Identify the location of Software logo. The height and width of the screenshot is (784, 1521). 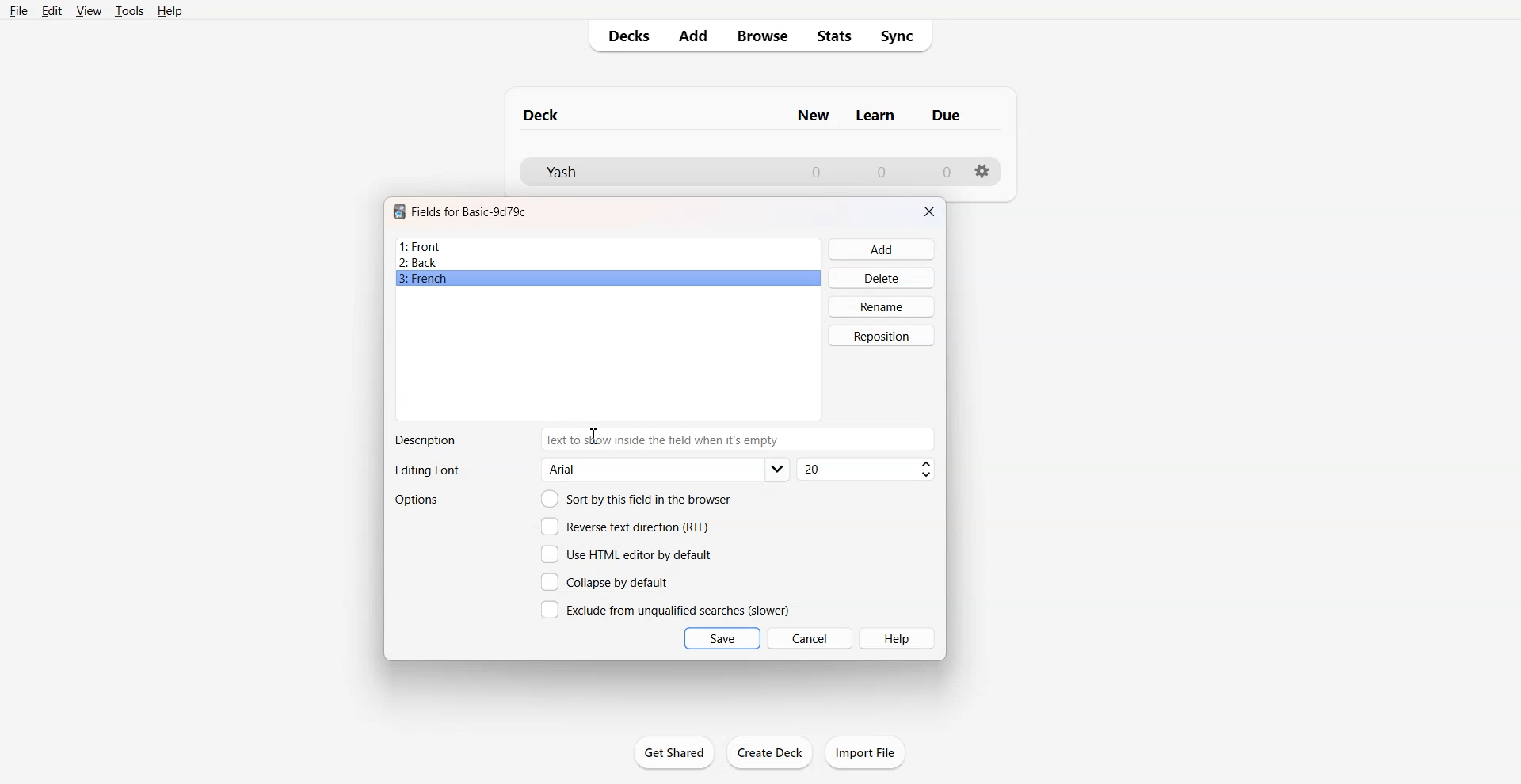
(399, 211).